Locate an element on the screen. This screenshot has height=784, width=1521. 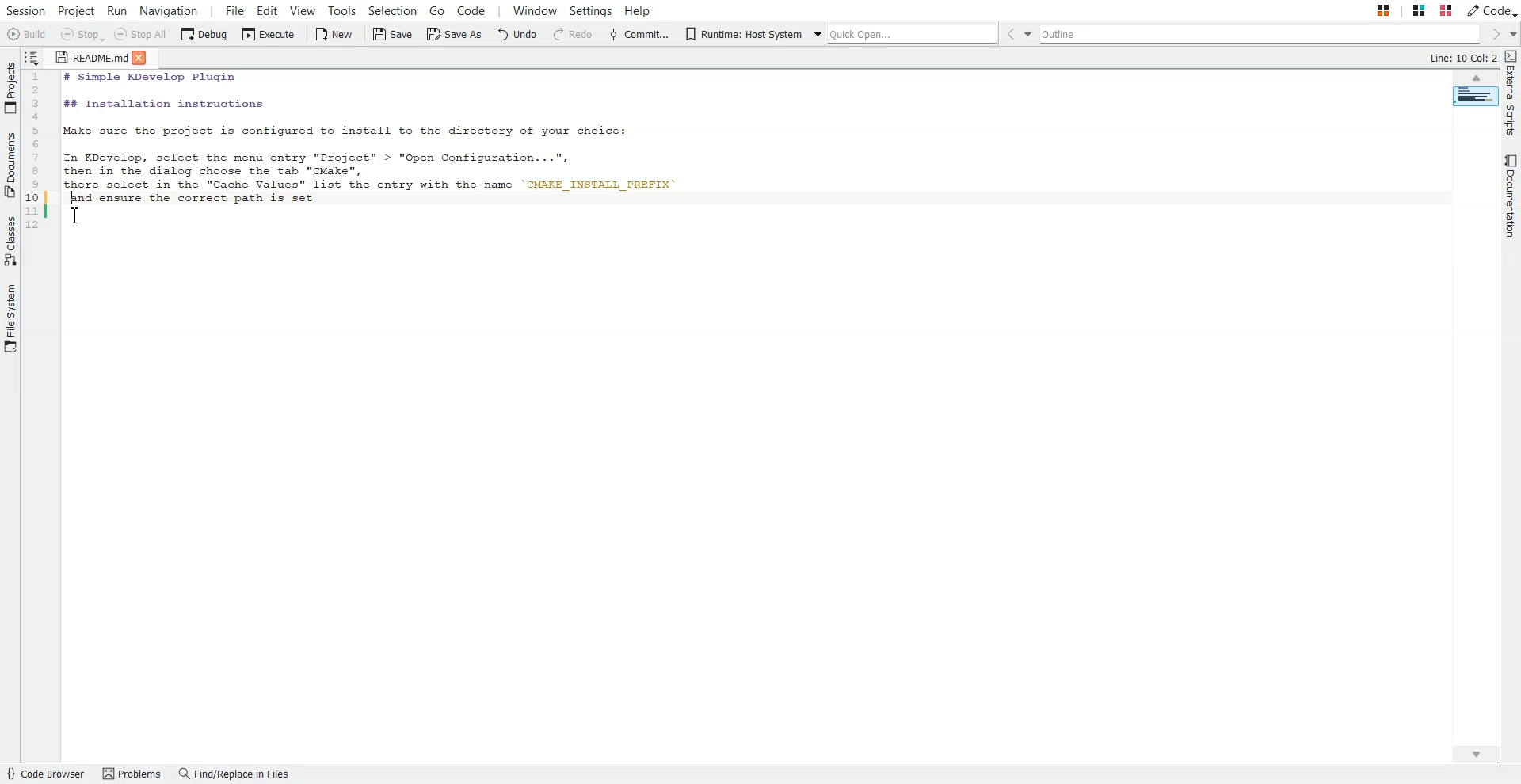
Stop is located at coordinates (82, 35).